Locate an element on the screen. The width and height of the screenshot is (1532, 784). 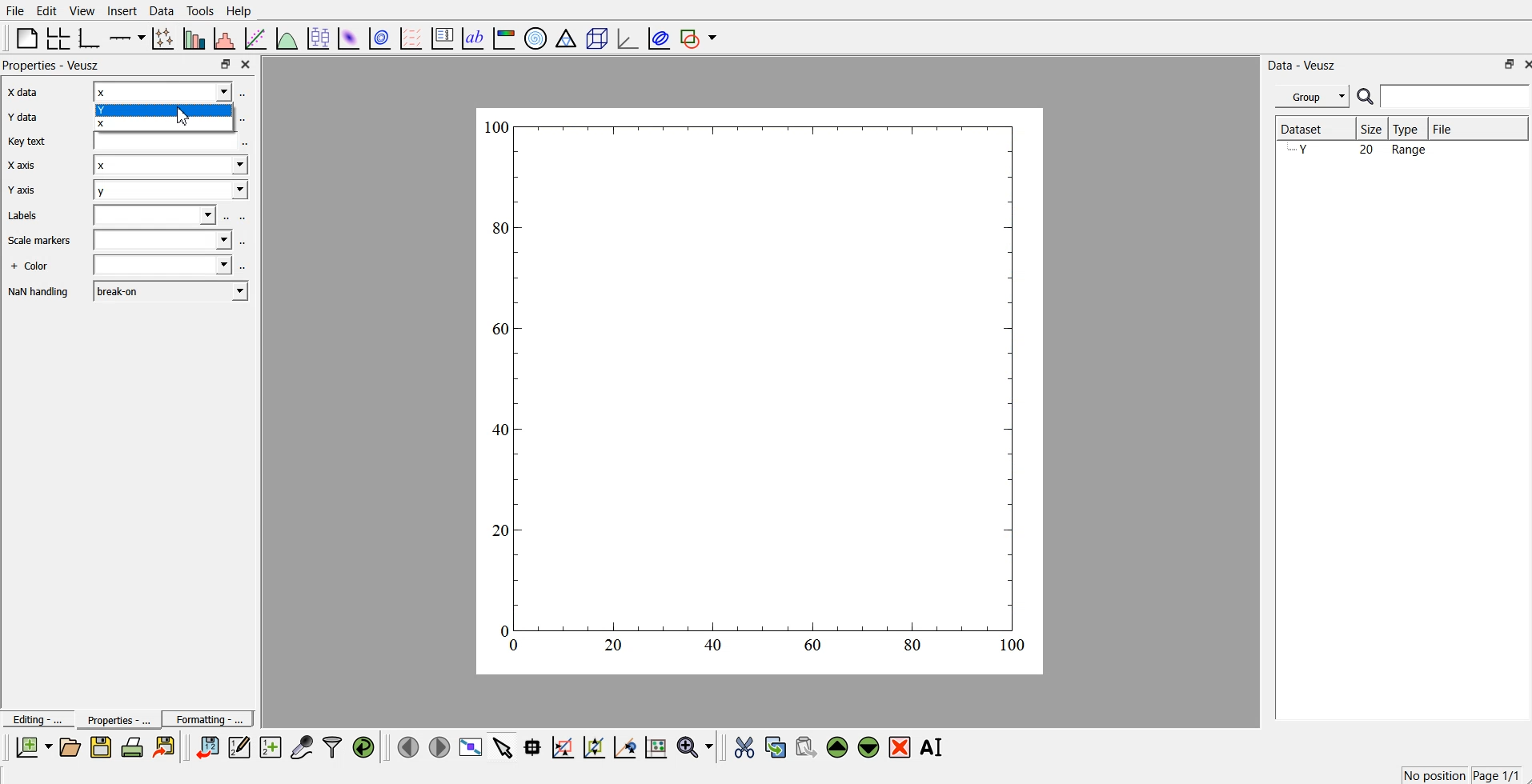
Y data is located at coordinates (28, 120).